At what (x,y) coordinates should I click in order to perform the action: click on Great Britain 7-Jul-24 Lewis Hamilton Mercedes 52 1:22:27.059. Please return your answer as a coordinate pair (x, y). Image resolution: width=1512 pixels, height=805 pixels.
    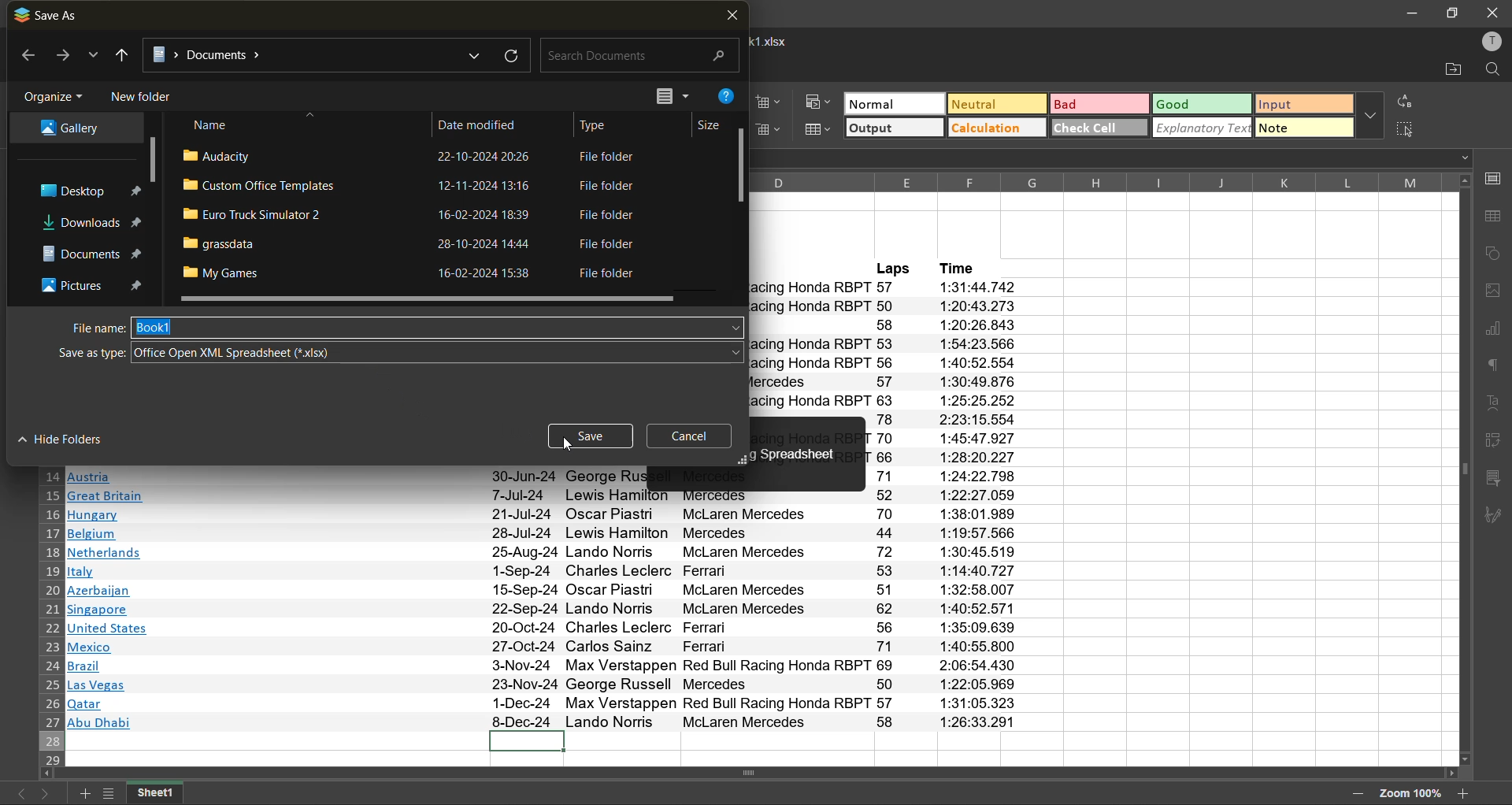
    Looking at the image, I should click on (550, 495).